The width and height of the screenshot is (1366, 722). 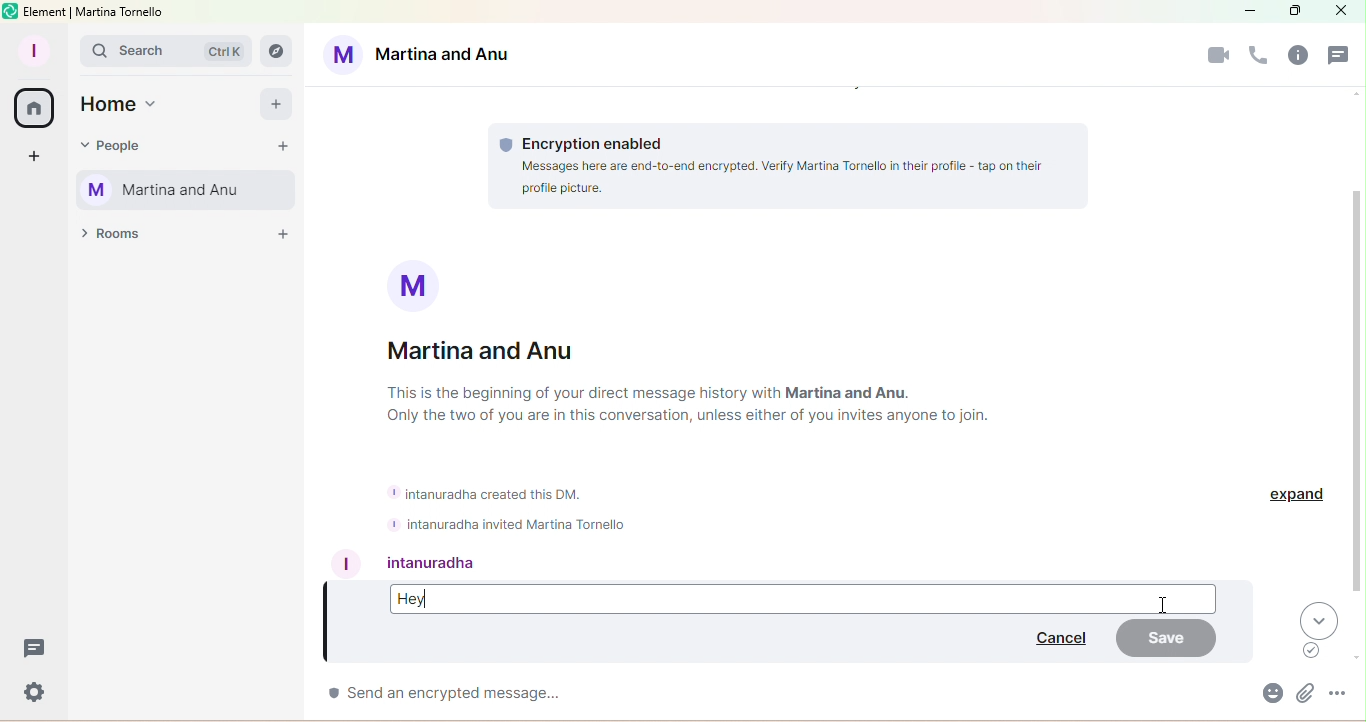 I want to click on profile, so click(x=349, y=563).